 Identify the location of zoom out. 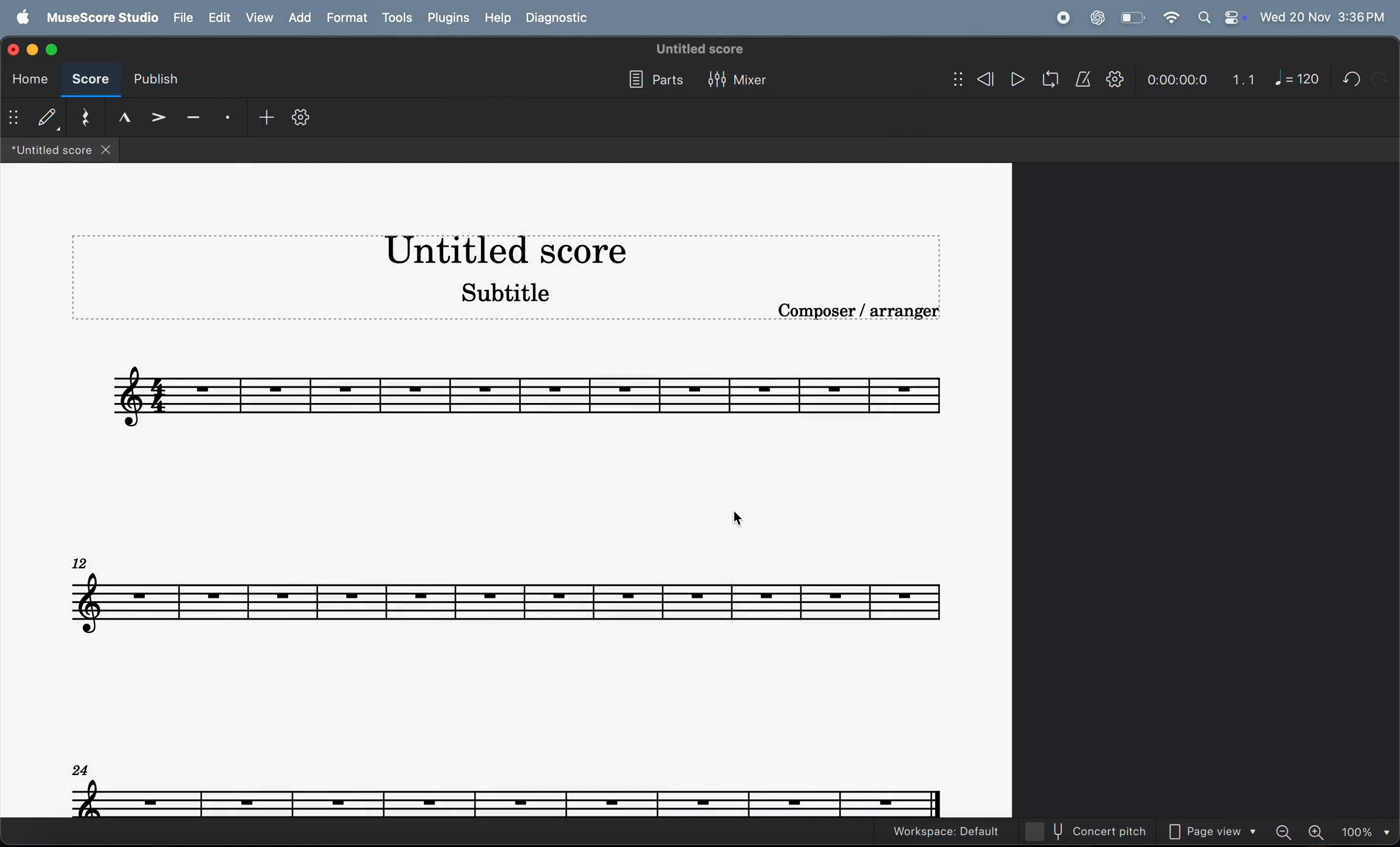
(1287, 831).